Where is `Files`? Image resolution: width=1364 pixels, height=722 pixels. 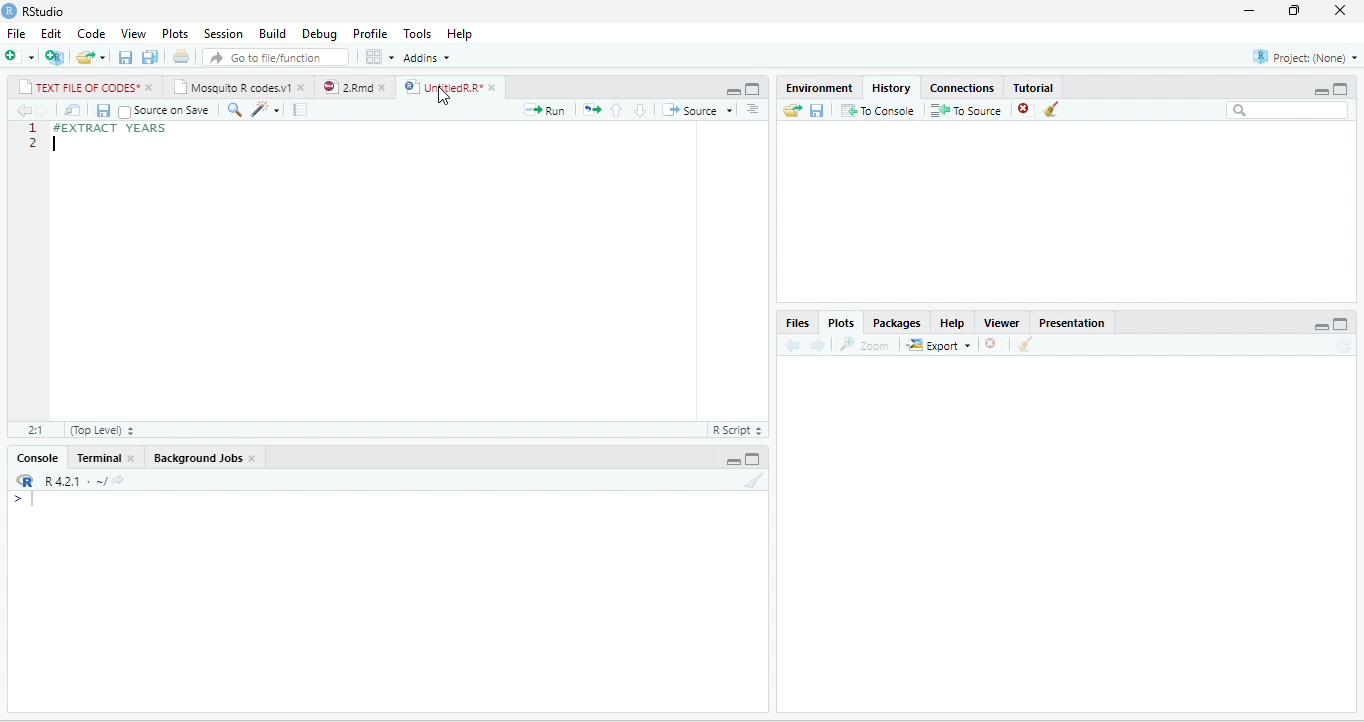
Files is located at coordinates (799, 324).